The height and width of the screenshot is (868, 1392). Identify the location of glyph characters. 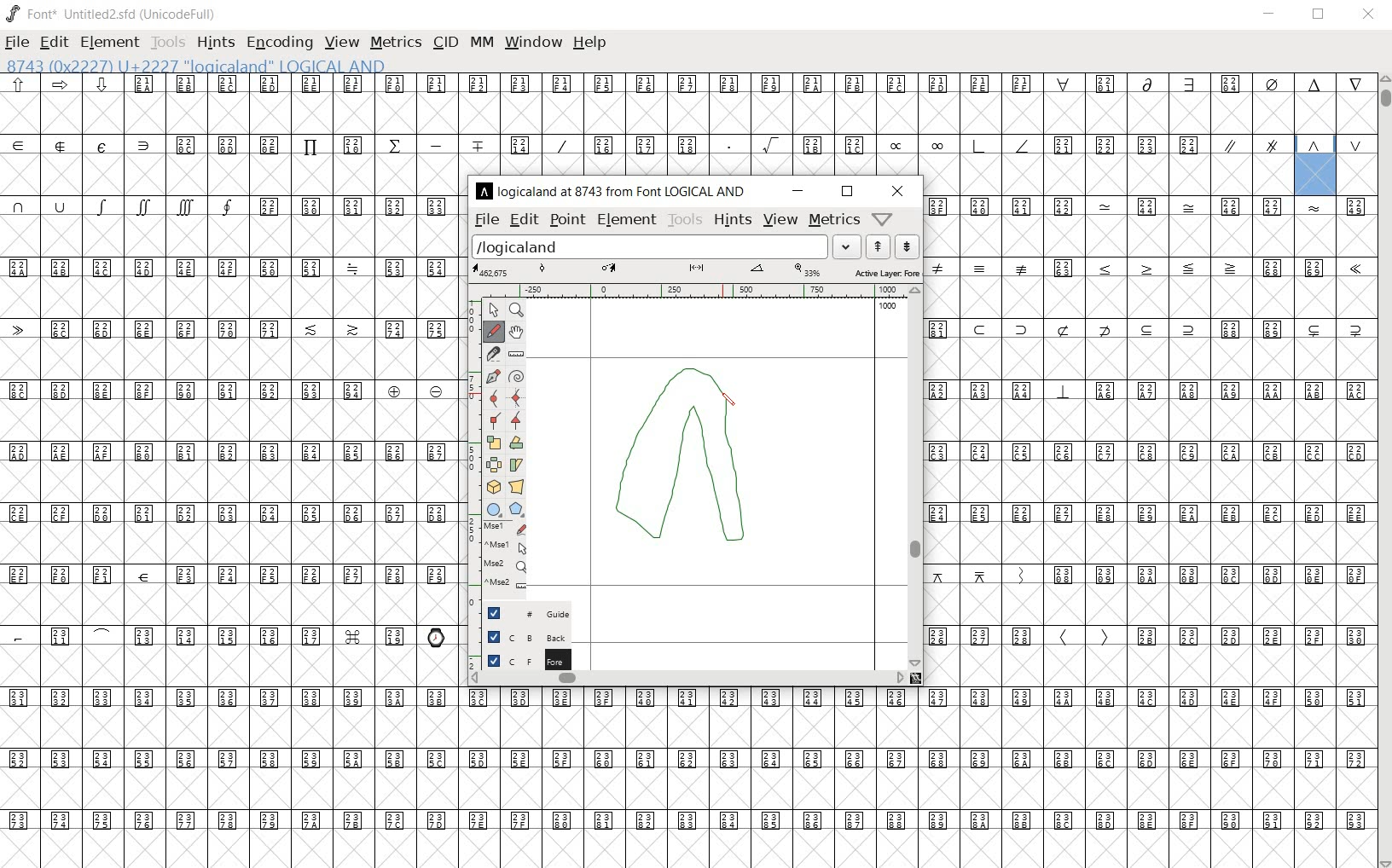
(880, 124).